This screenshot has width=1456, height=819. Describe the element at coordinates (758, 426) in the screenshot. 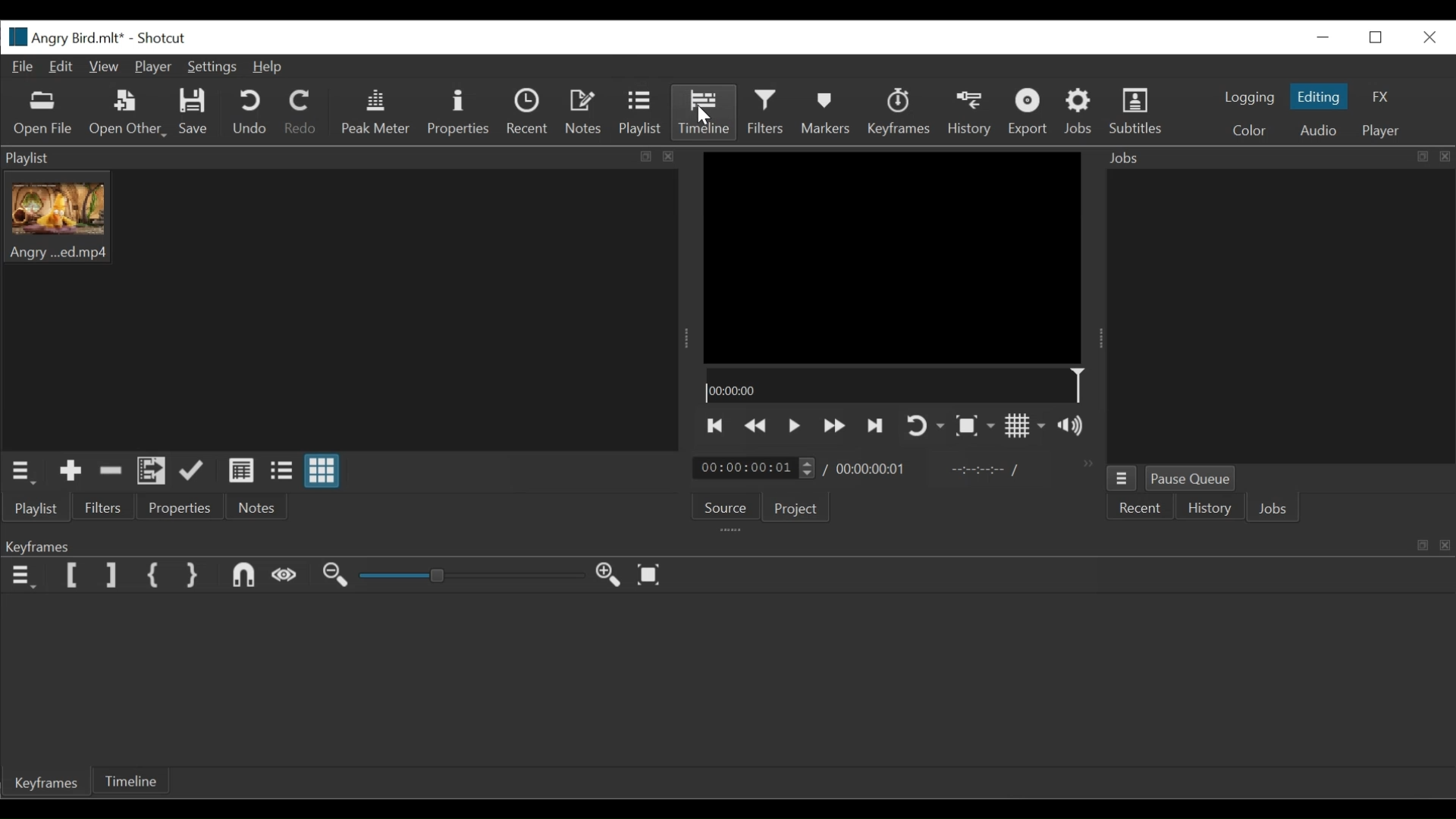

I see `Play quickly backward` at that location.